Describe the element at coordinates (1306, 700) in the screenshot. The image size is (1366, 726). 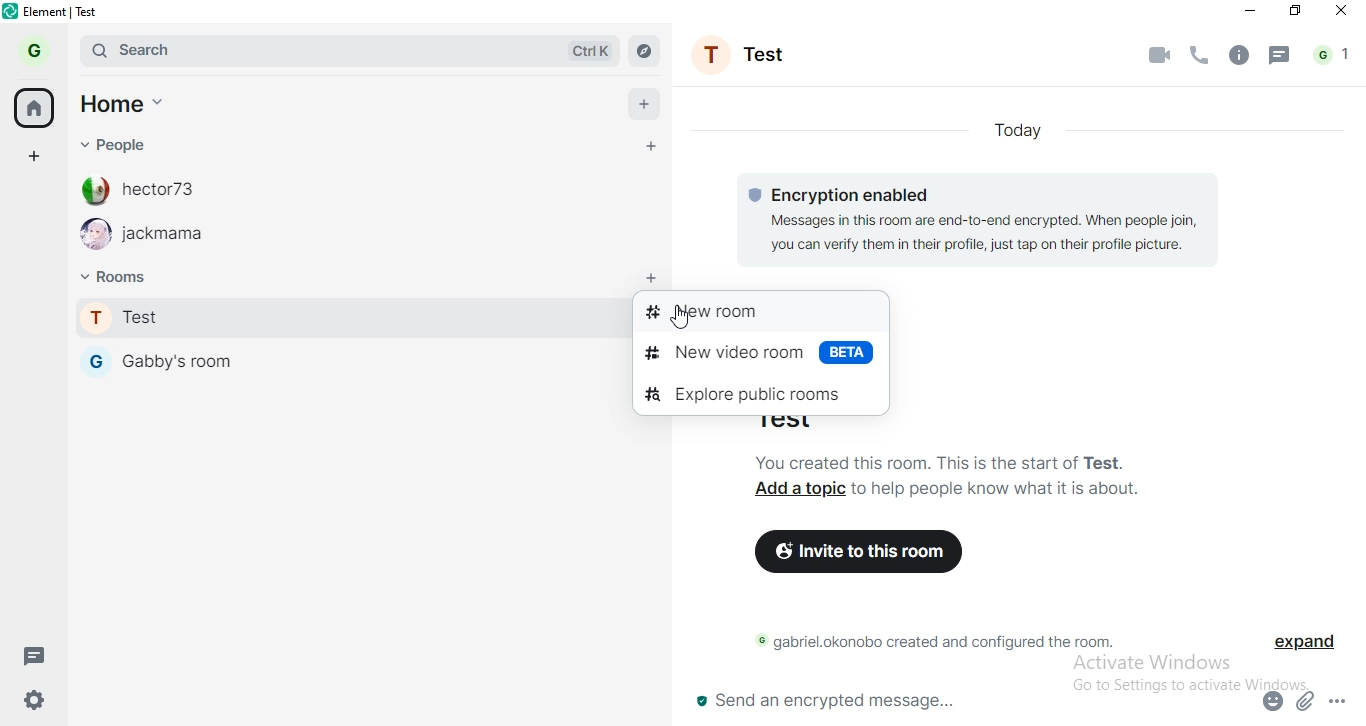
I see `attachment` at that location.